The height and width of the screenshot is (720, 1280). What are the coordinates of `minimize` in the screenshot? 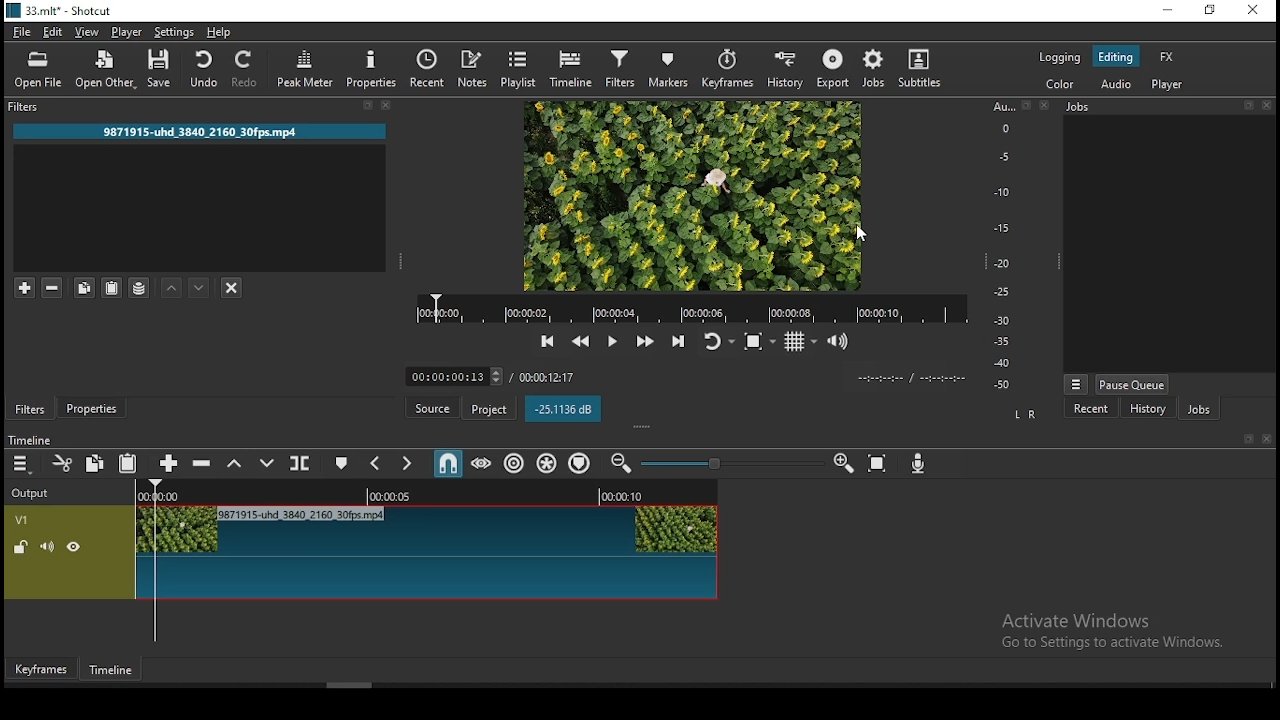 It's located at (1168, 10).